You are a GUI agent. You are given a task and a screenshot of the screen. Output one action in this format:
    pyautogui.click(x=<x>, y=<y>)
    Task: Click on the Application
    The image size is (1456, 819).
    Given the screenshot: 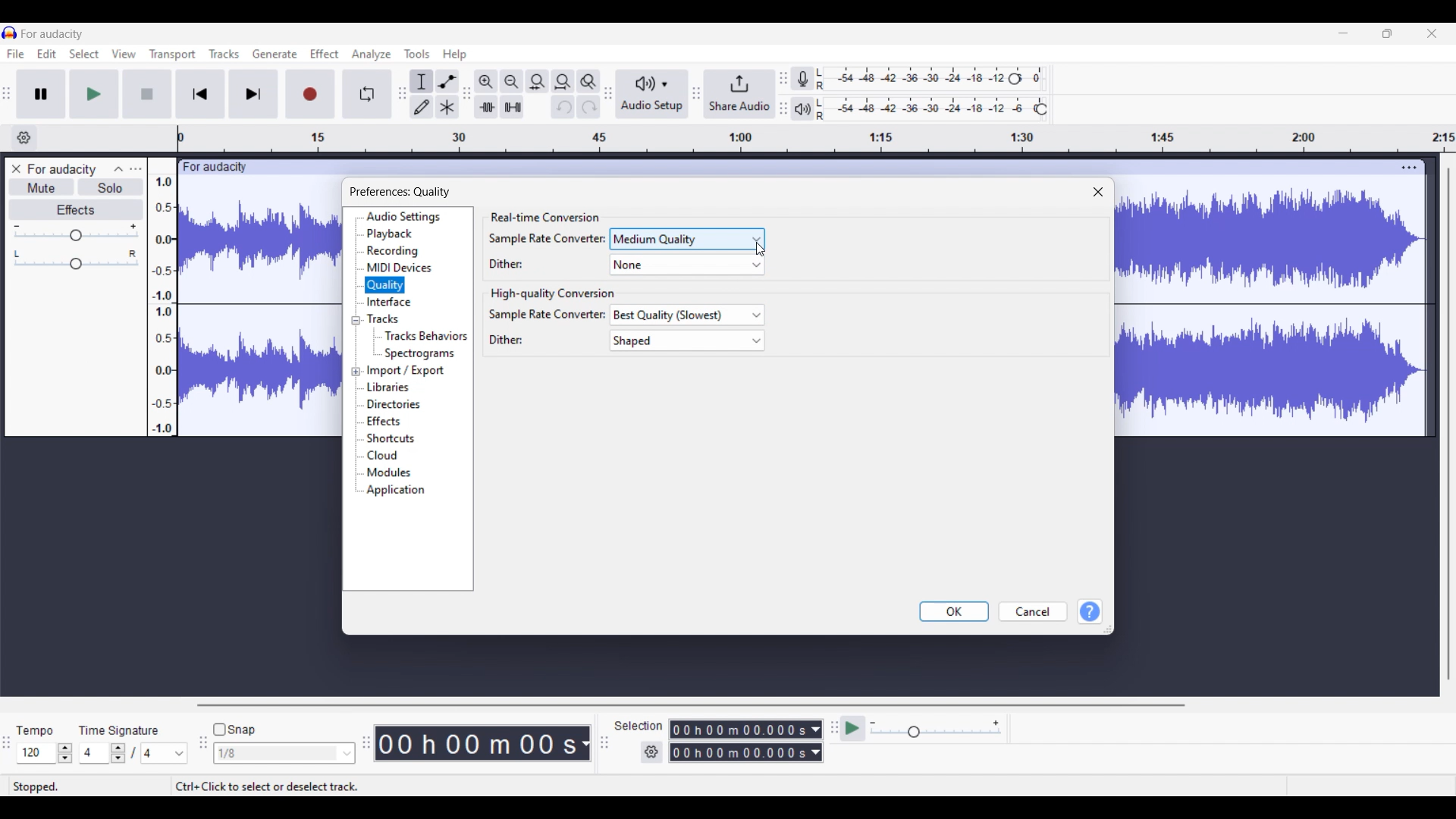 What is the action you would take?
    pyautogui.click(x=395, y=490)
    